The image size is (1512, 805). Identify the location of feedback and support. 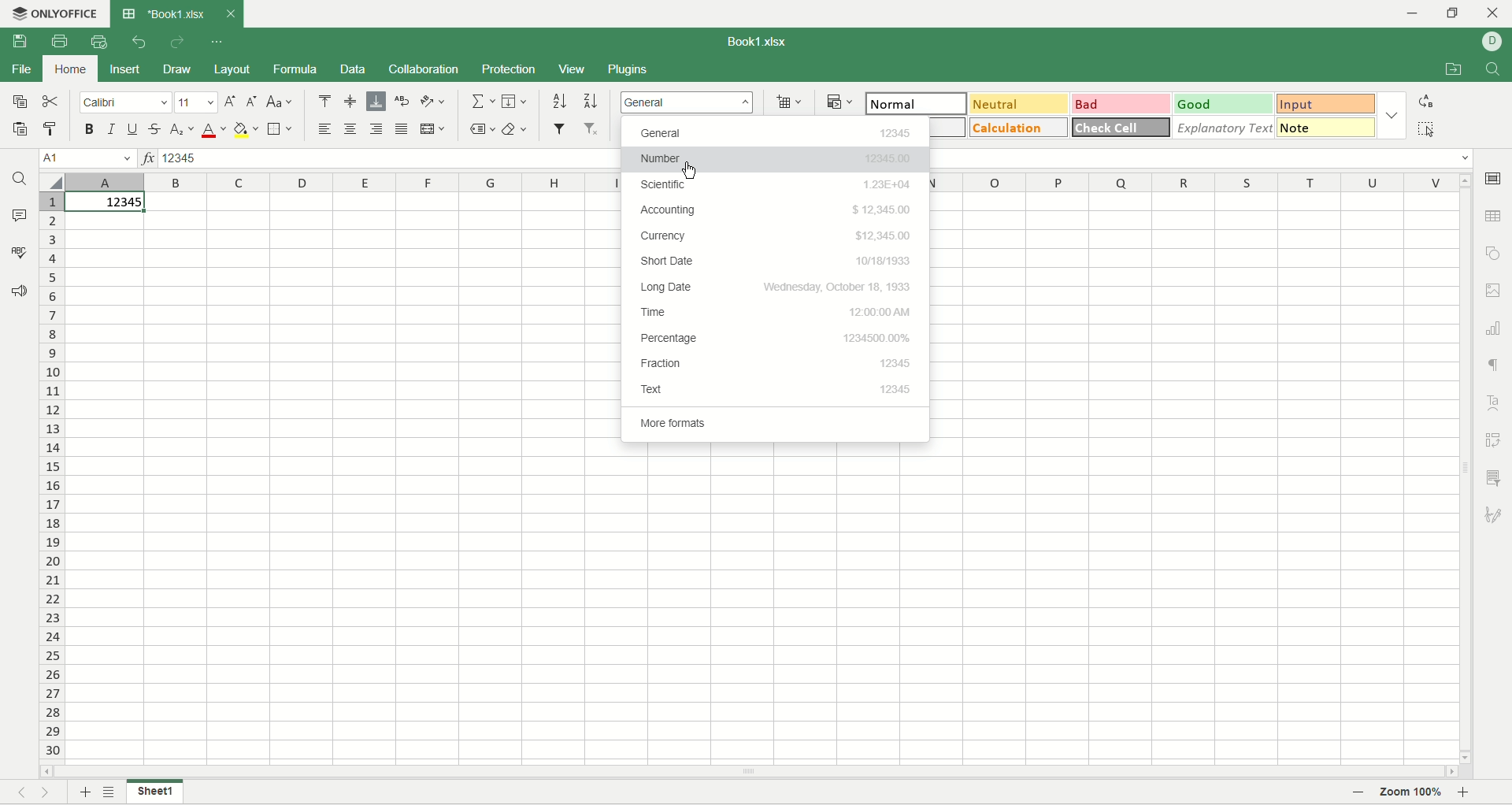
(15, 291).